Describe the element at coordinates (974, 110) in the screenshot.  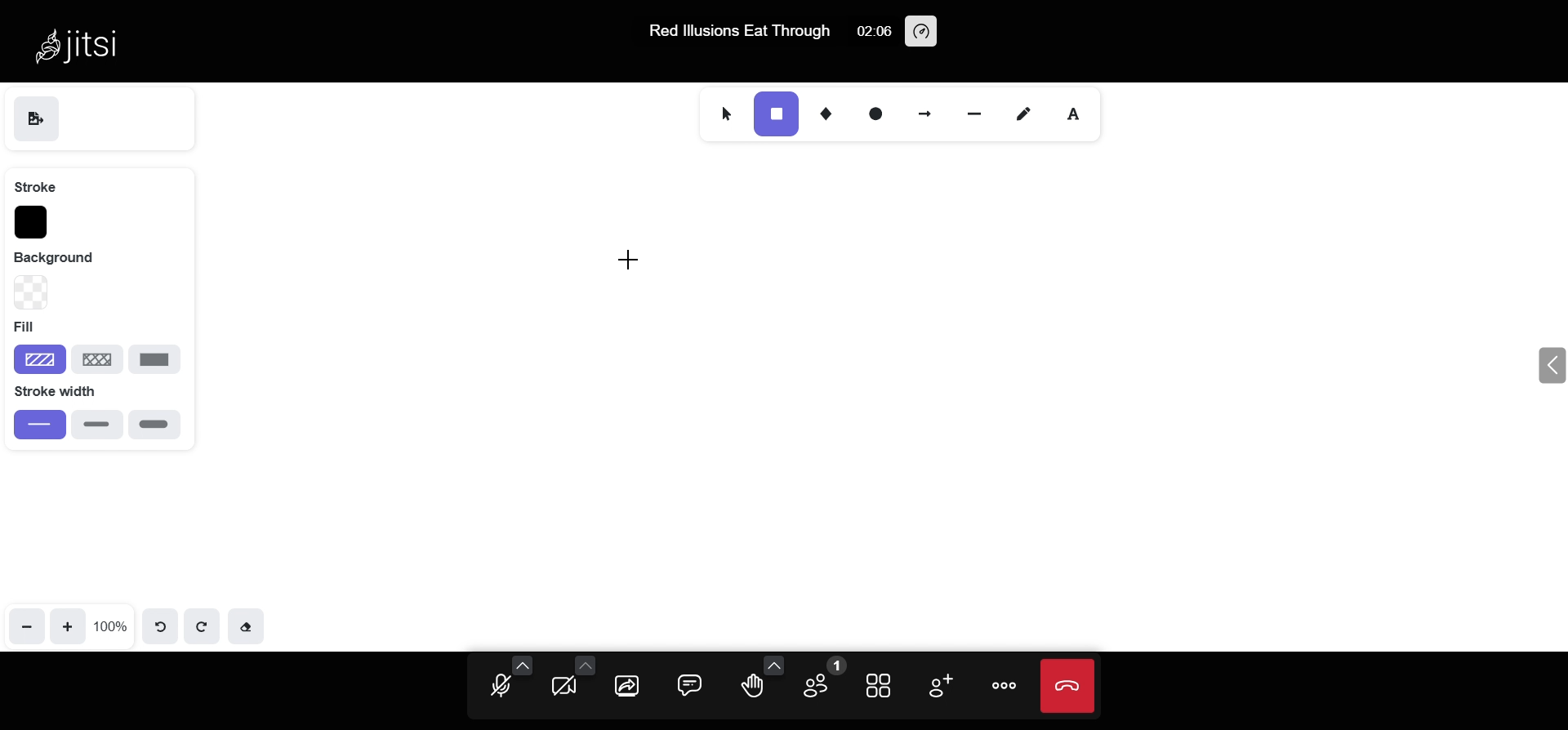
I see `line` at that location.